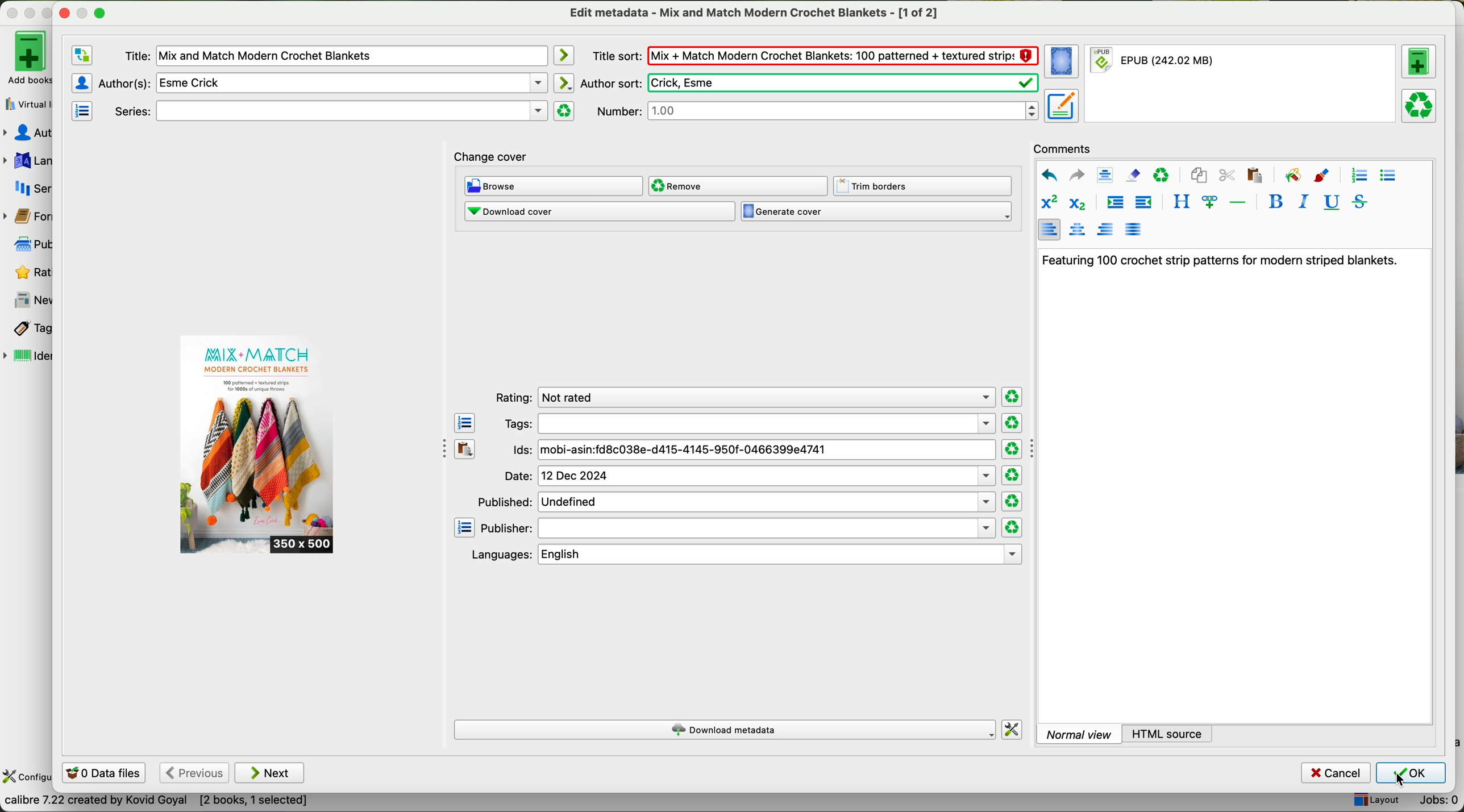 This screenshot has height=812, width=1464. Describe the element at coordinates (1276, 201) in the screenshot. I see `bold` at that location.